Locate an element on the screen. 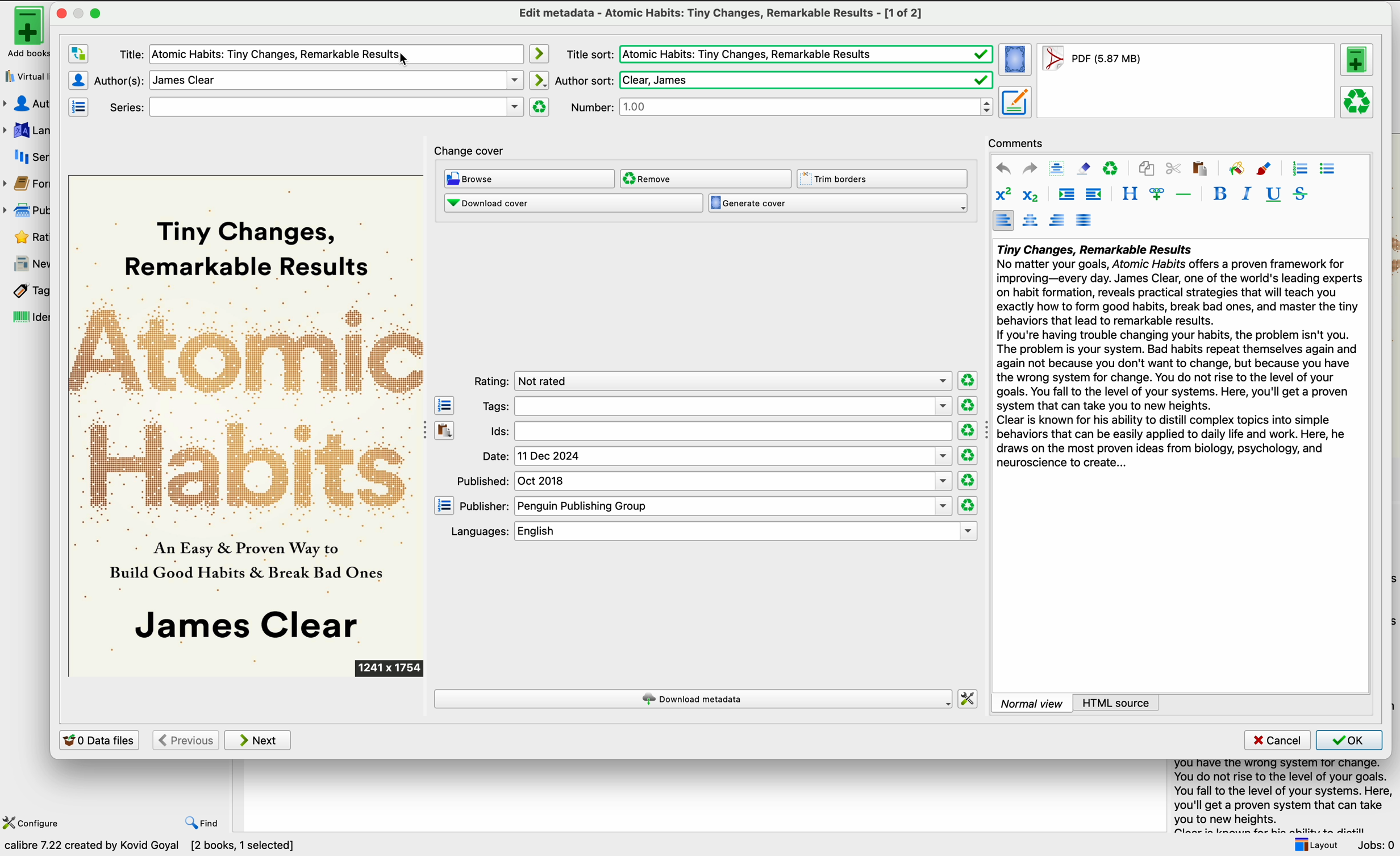  previous is located at coordinates (185, 740).